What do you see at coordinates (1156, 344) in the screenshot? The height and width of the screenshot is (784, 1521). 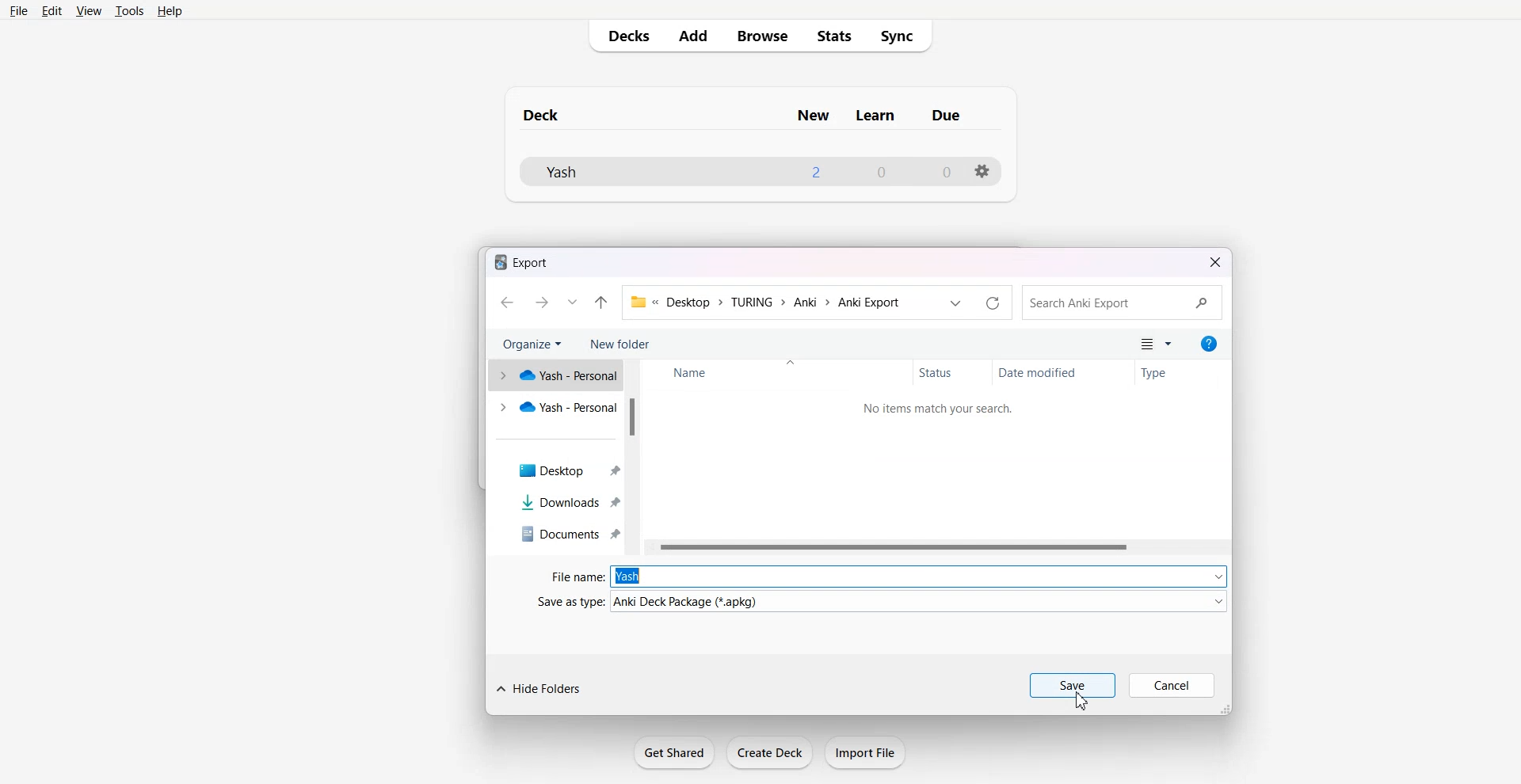 I see `Change your view` at bounding box center [1156, 344].